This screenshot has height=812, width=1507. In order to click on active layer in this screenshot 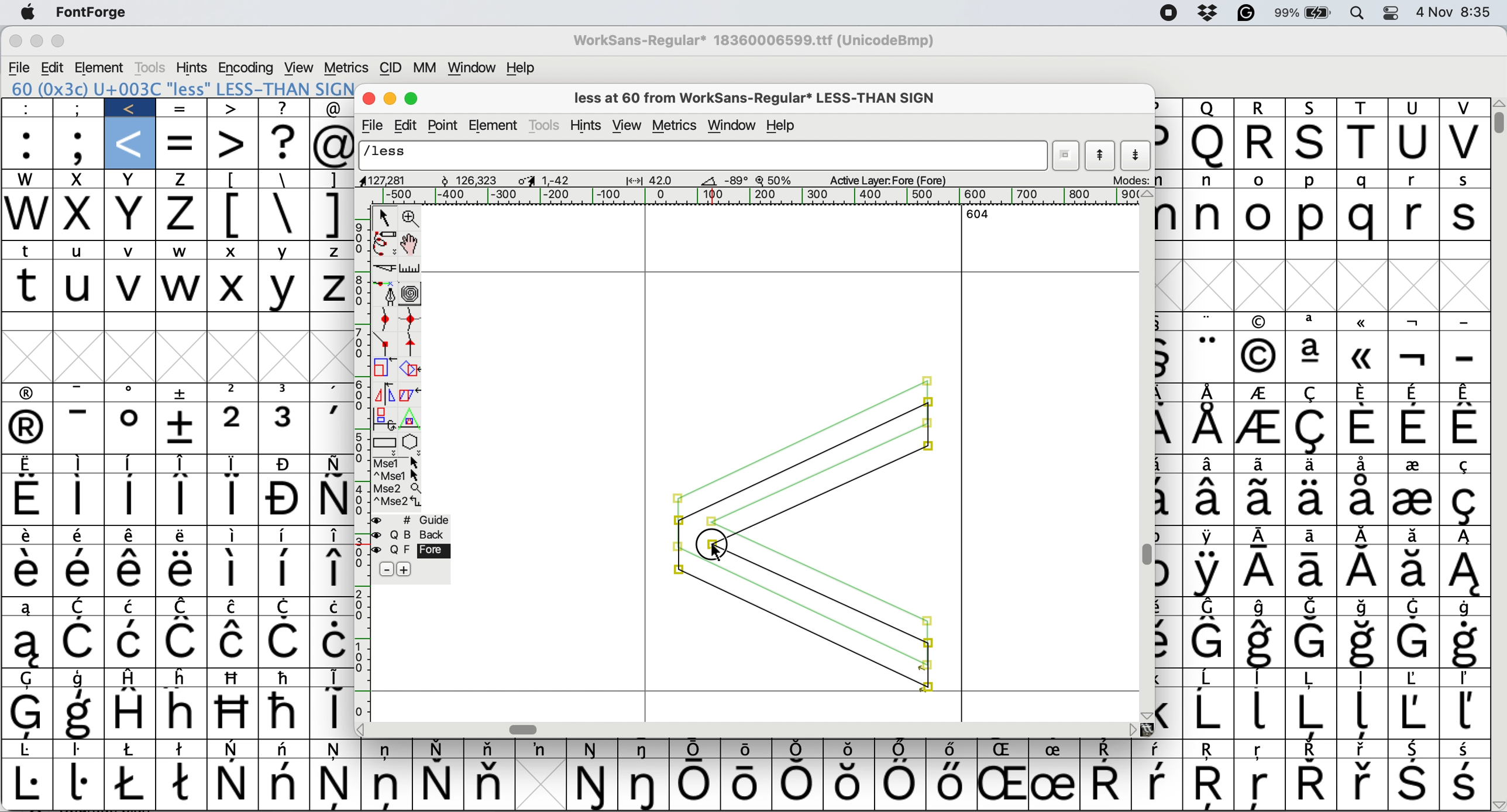, I will do `click(888, 180)`.